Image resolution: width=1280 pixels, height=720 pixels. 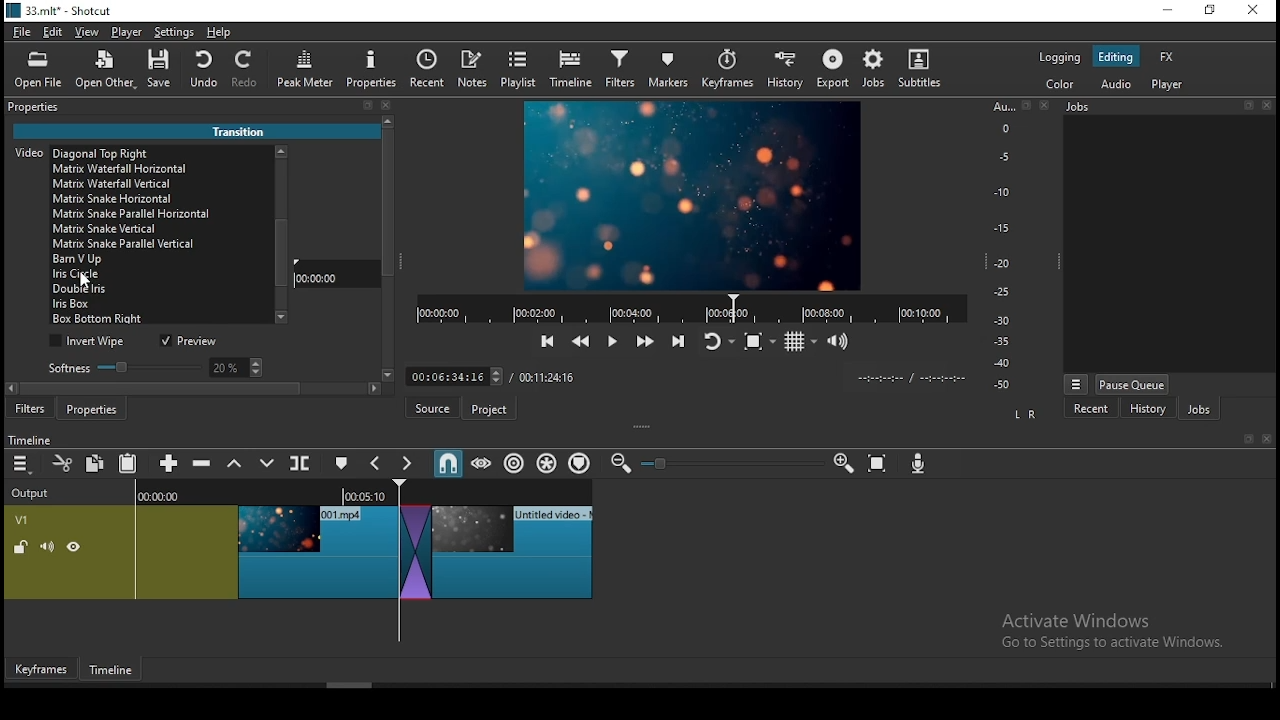 I want to click on icon and file name, so click(x=62, y=13).